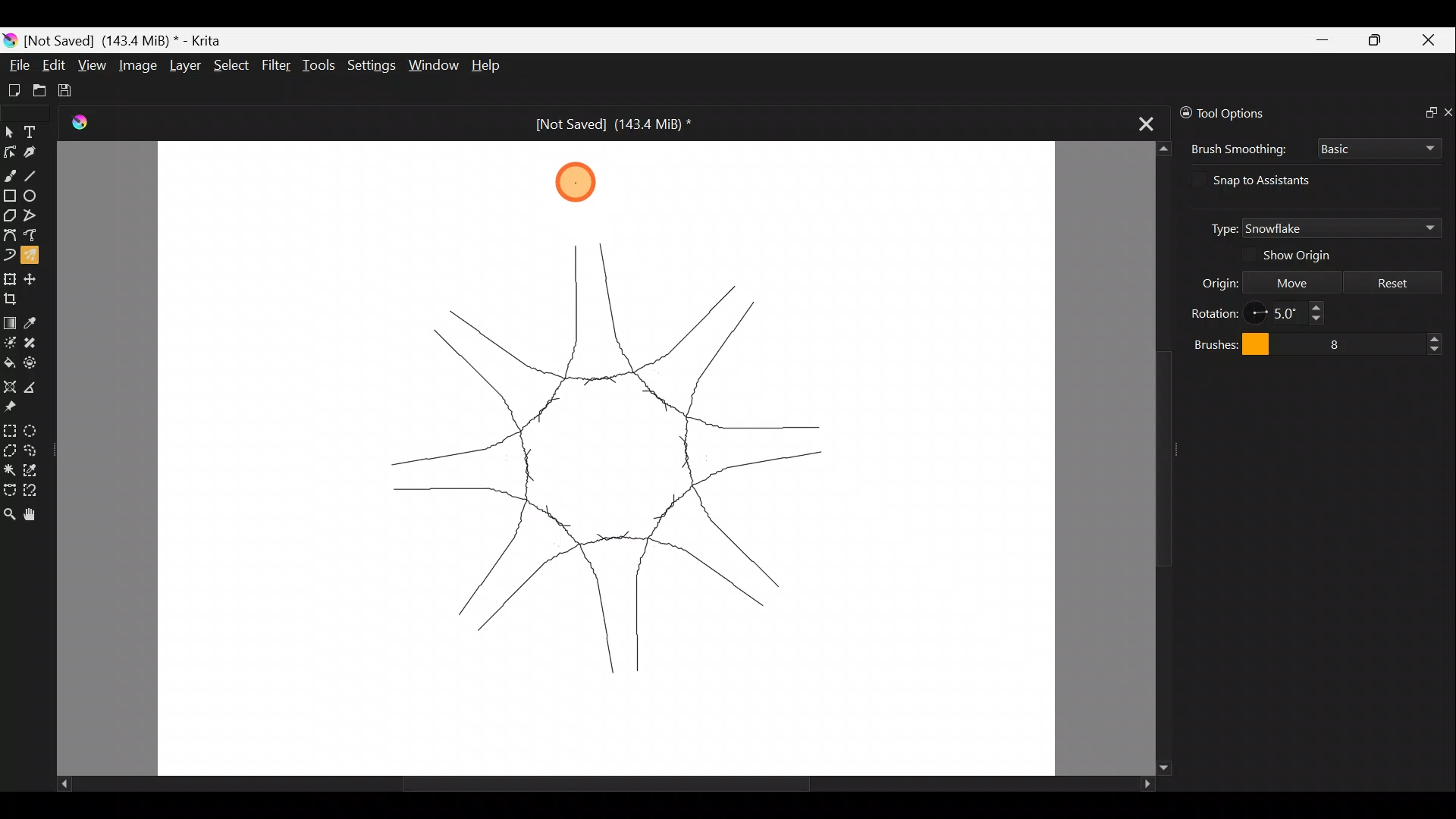 The height and width of the screenshot is (819, 1456). I want to click on Filter, so click(279, 66).